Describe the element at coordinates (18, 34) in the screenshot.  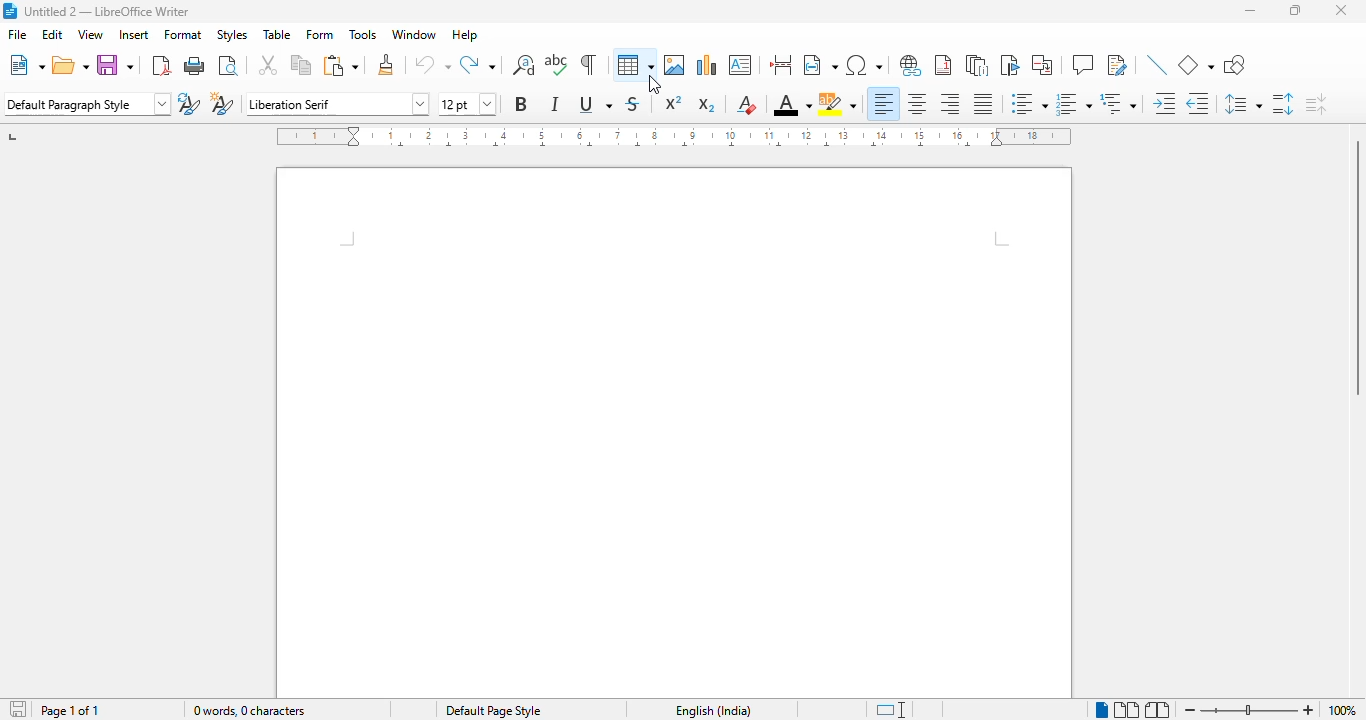
I see `file` at that location.